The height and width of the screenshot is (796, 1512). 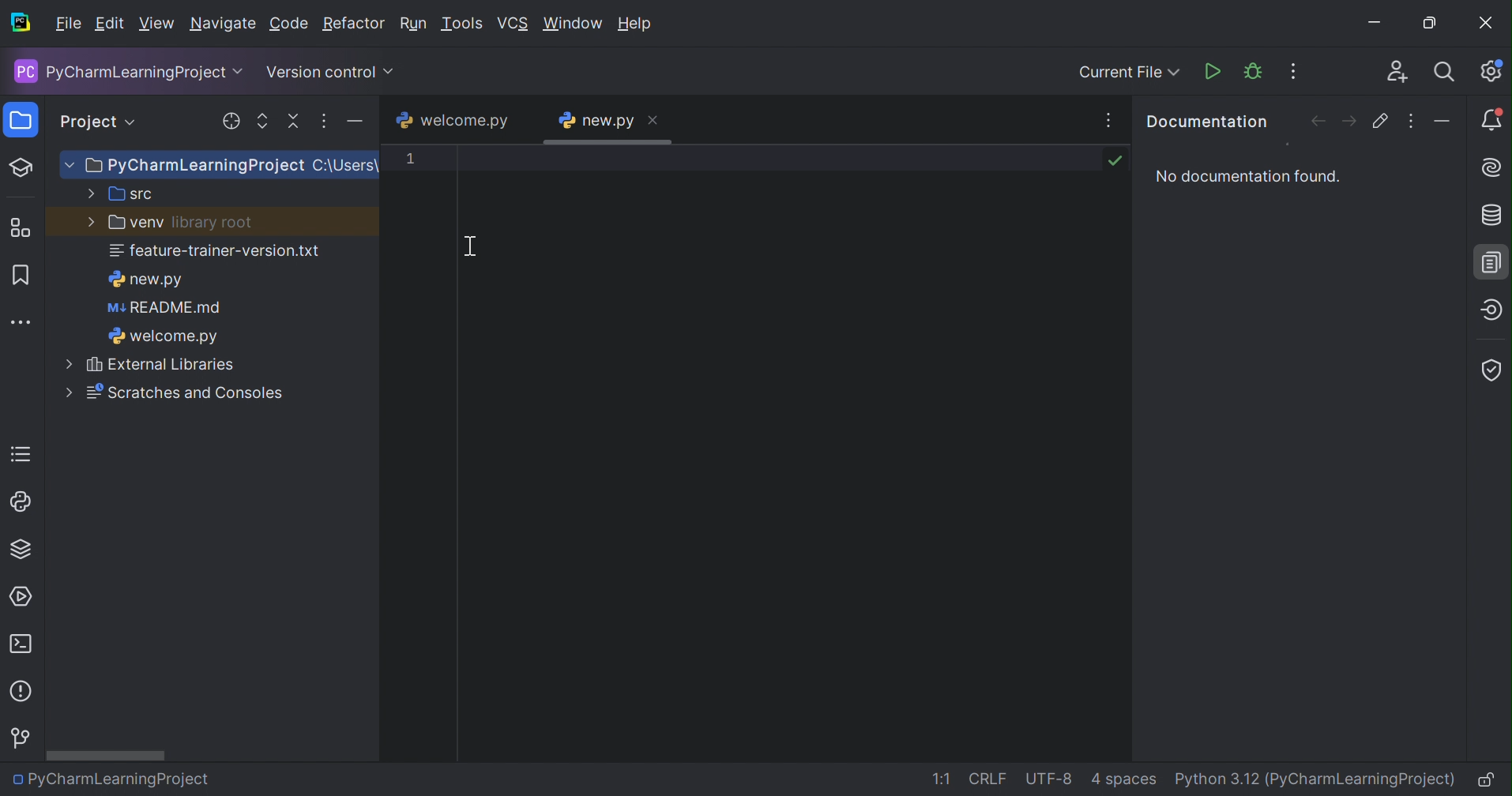 What do you see at coordinates (134, 122) in the screenshot?
I see `Drop down` at bounding box center [134, 122].